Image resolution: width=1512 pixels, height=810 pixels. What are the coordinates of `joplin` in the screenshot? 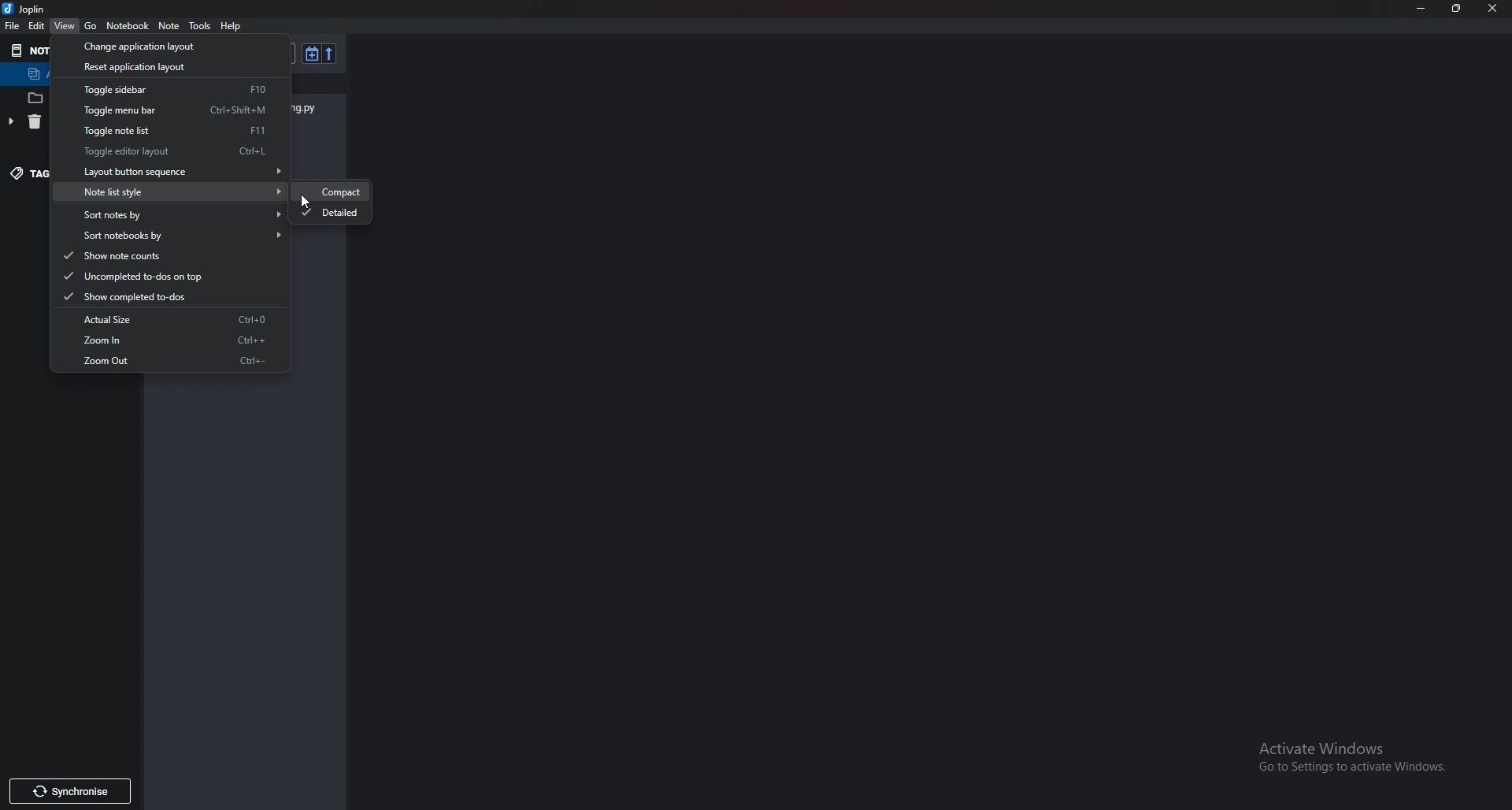 It's located at (26, 9).